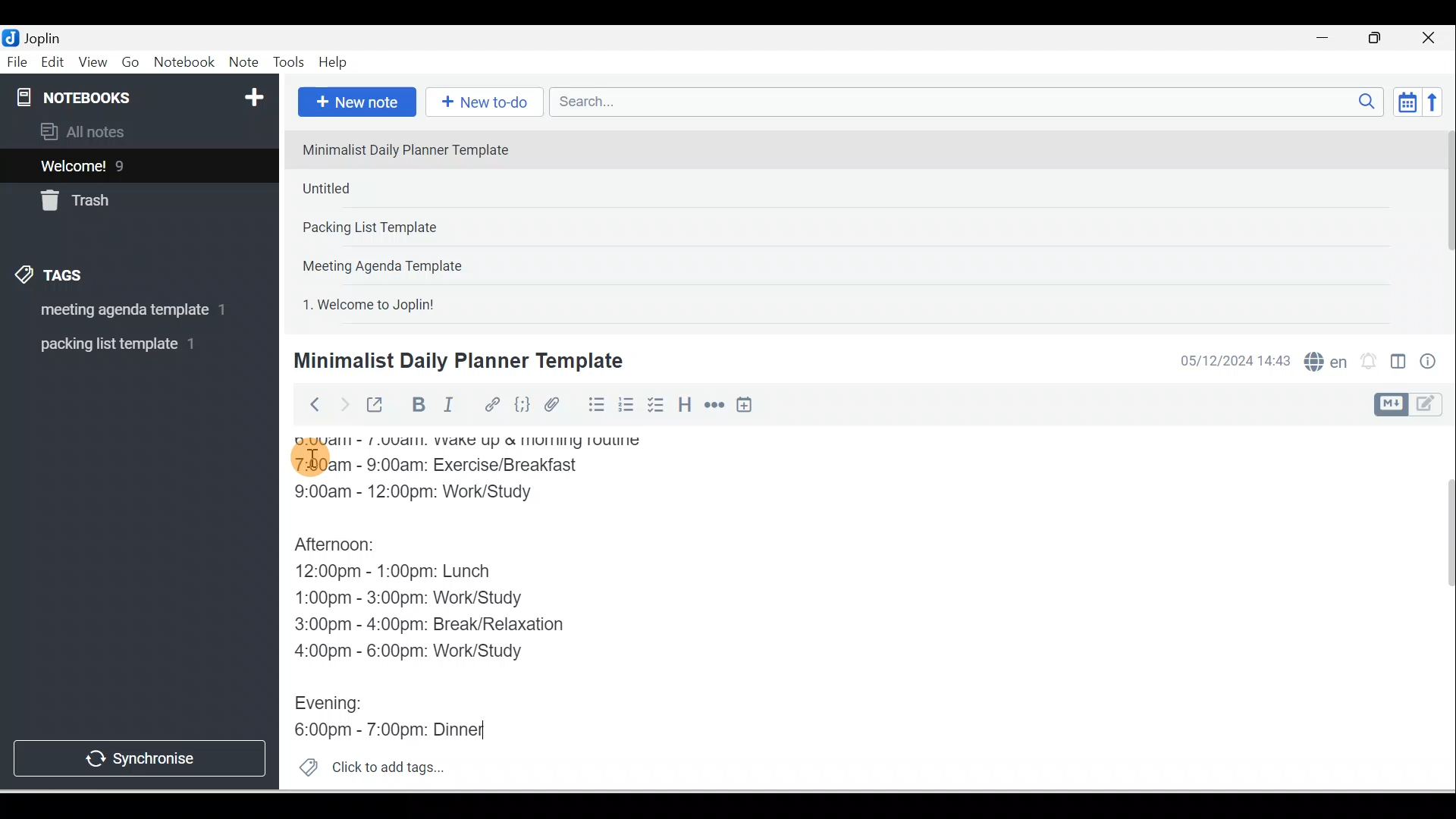 The width and height of the screenshot is (1456, 819). I want to click on Minimalist Daily Planner Template, so click(456, 361).